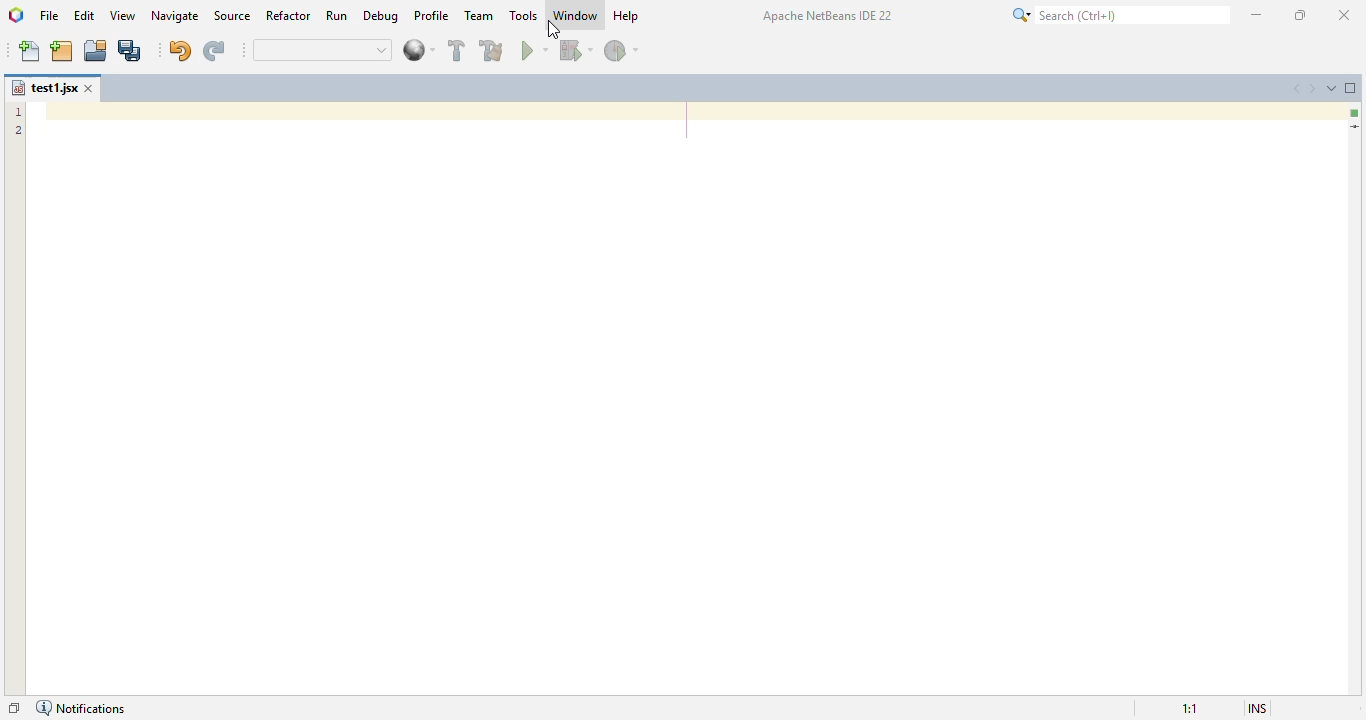 This screenshot has width=1366, height=720. Describe the element at coordinates (131, 51) in the screenshot. I see `save all ` at that location.